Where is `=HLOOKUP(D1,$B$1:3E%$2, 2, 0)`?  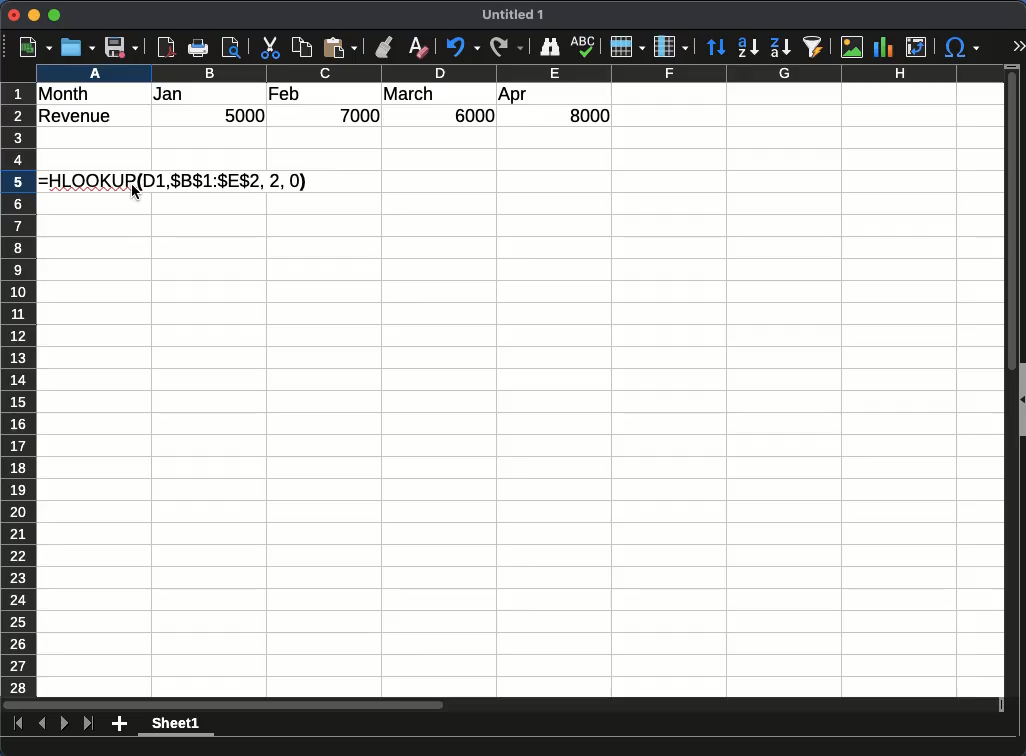
=HLOOKUP(D1,$B$1:3E%$2, 2, 0) is located at coordinates (173, 182).